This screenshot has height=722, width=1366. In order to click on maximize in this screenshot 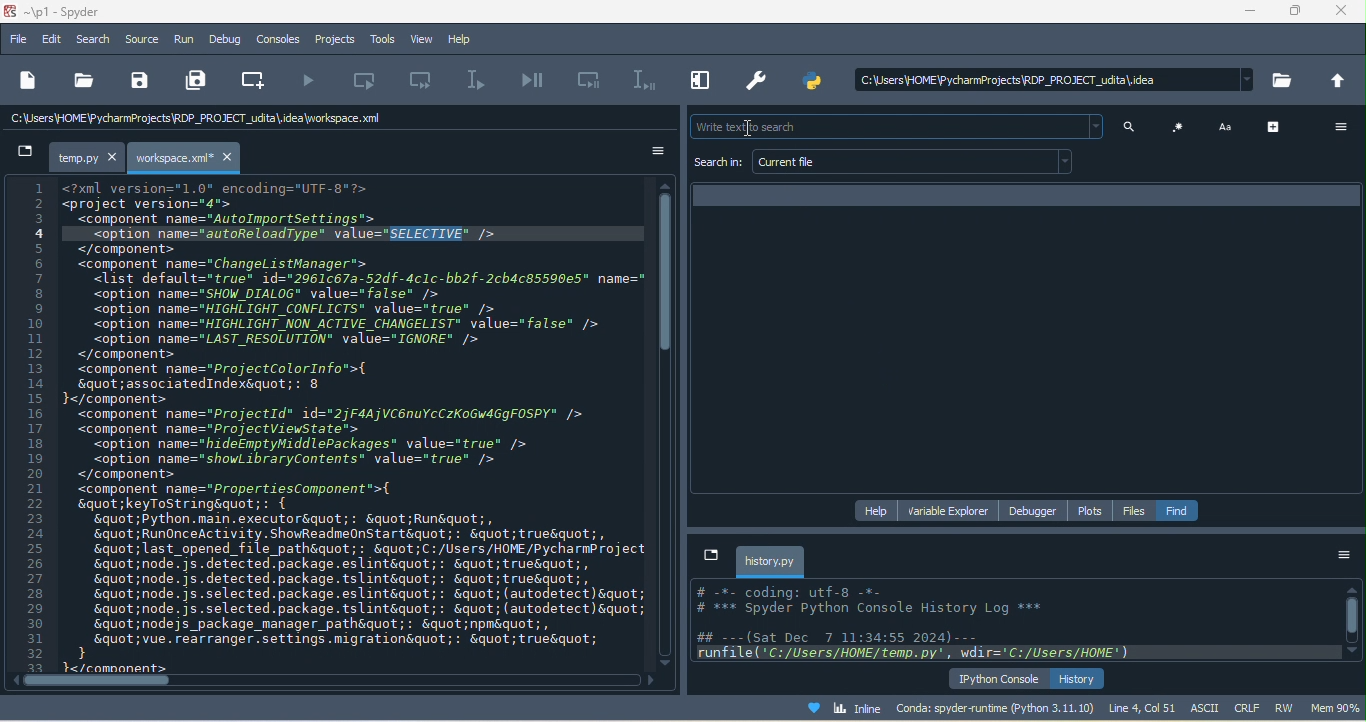, I will do `click(1296, 14)`.